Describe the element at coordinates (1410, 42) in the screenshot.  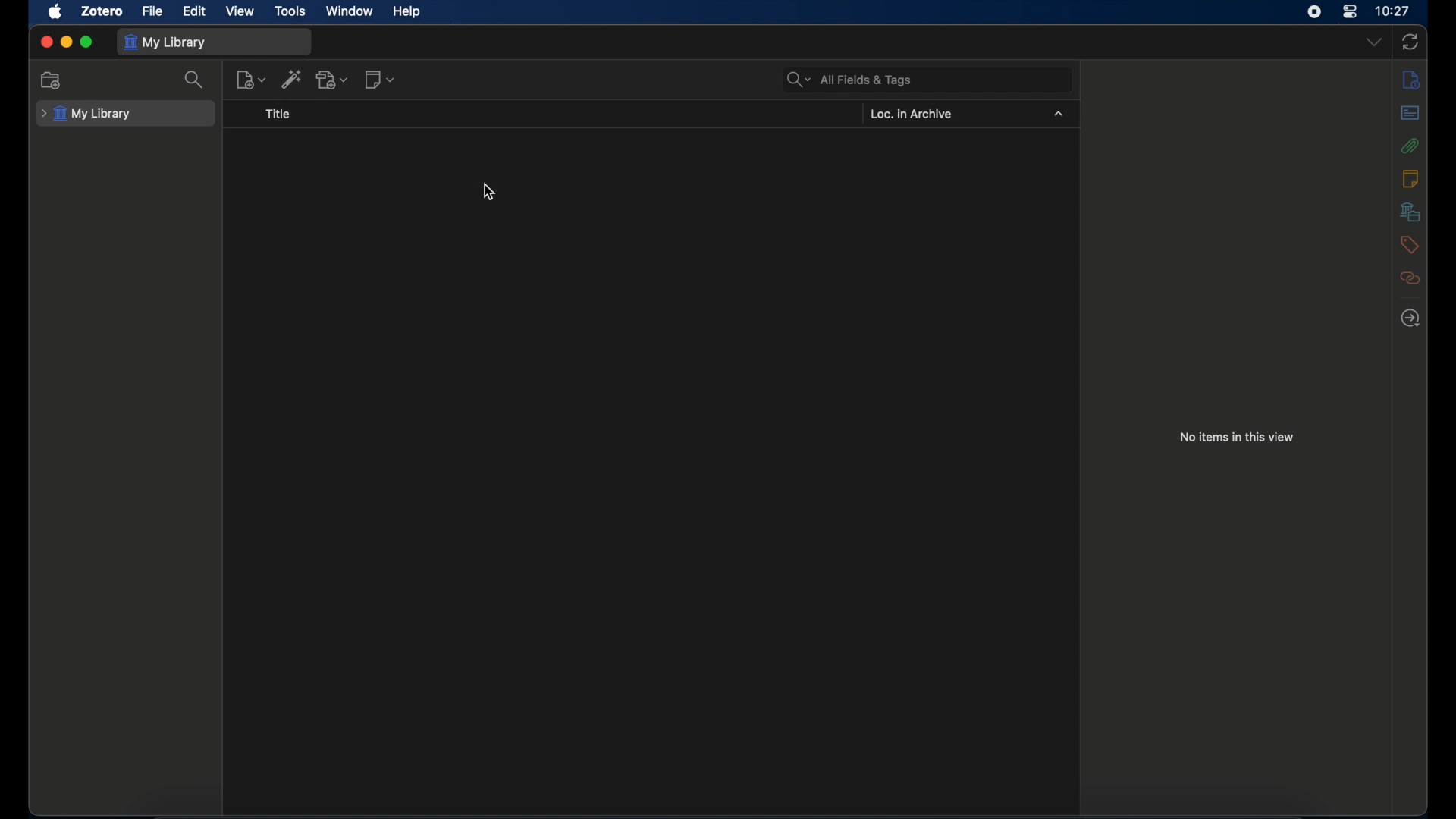
I see `sync` at that location.